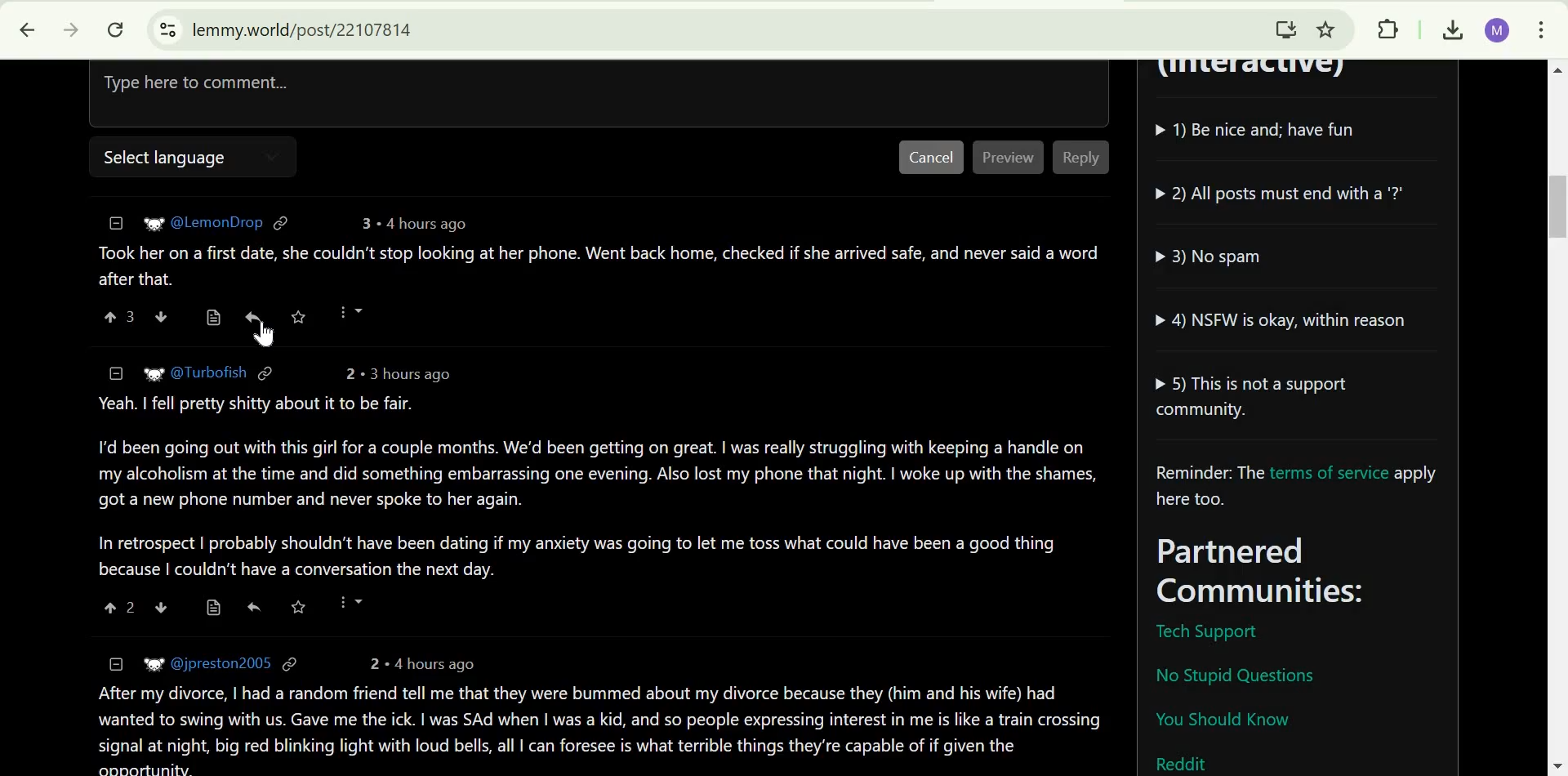  What do you see at coordinates (214, 608) in the screenshot?
I see `view source` at bounding box center [214, 608].